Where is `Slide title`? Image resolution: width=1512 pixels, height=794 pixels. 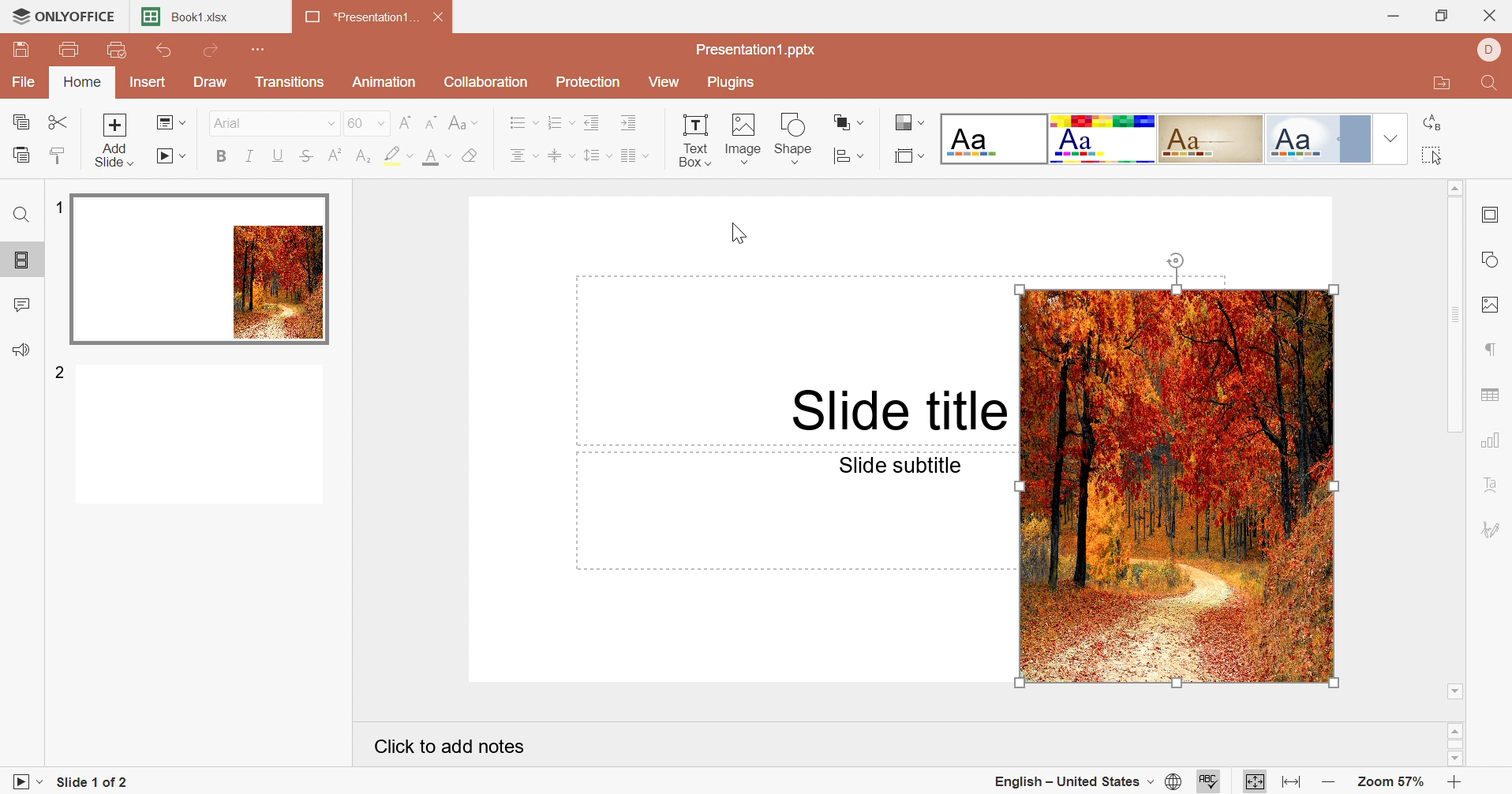 Slide title is located at coordinates (898, 411).